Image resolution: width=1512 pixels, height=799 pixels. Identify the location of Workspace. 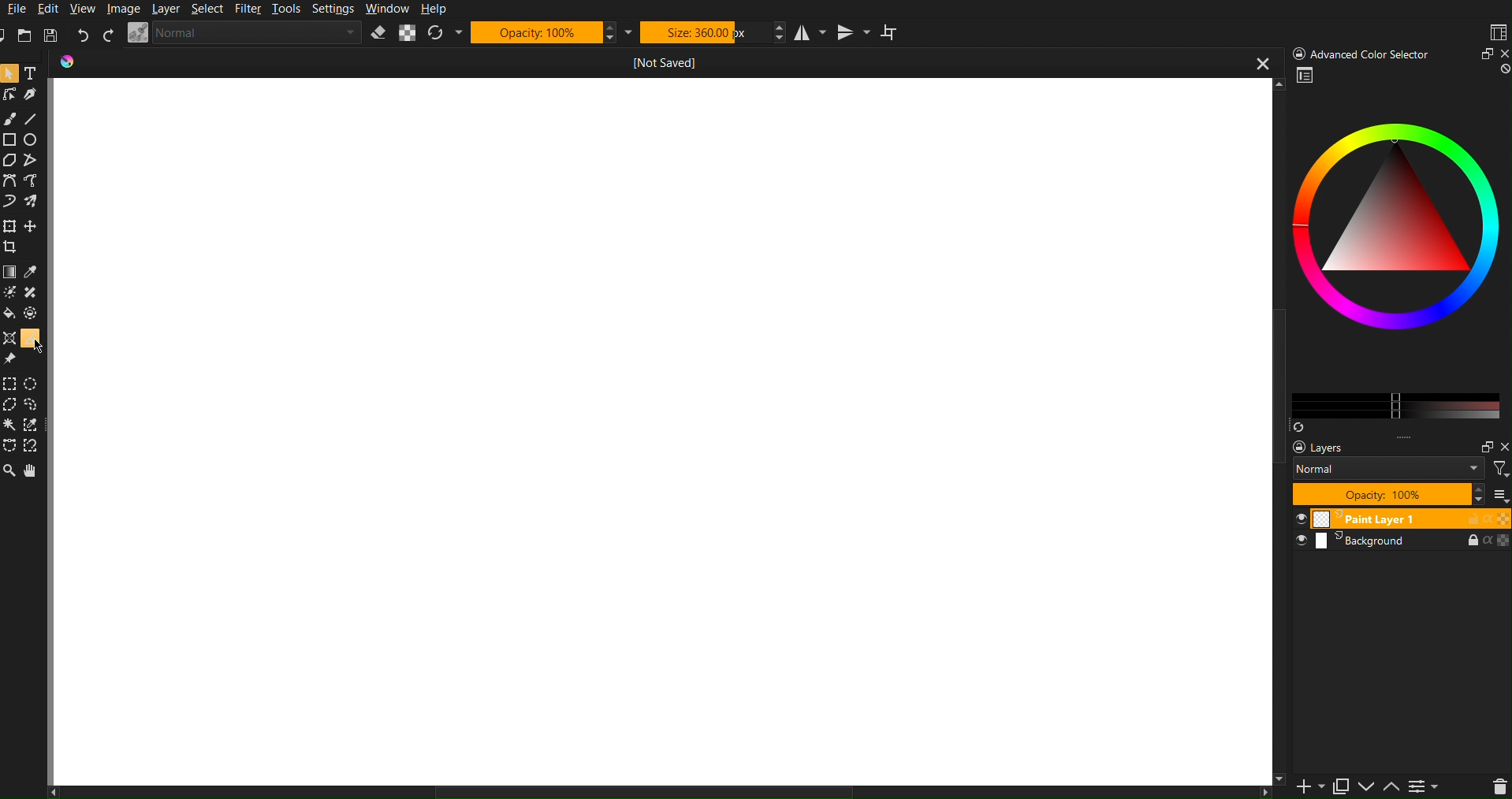
(1496, 32).